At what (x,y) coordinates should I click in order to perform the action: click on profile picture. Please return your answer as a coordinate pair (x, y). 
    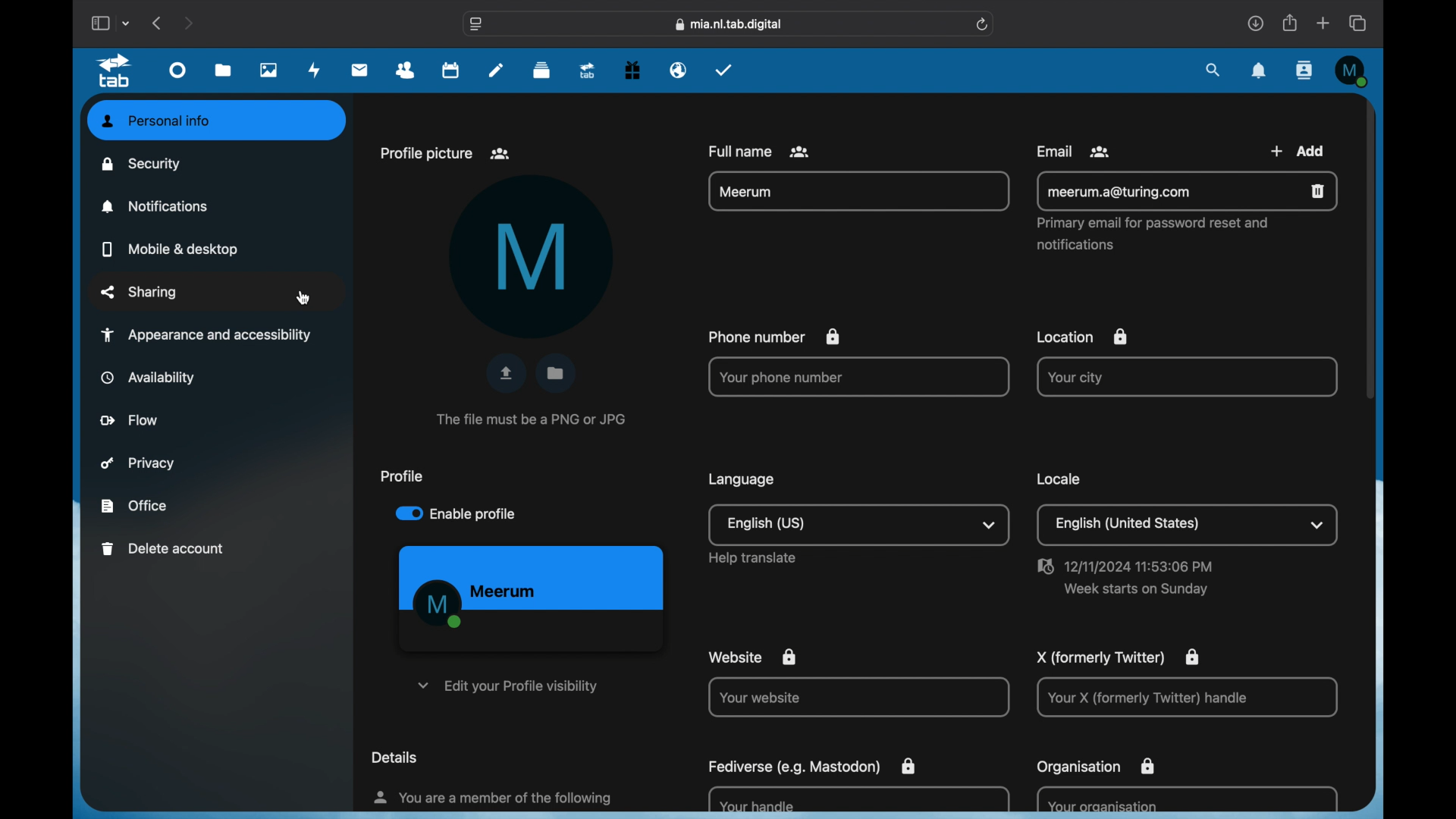
    Looking at the image, I should click on (443, 153).